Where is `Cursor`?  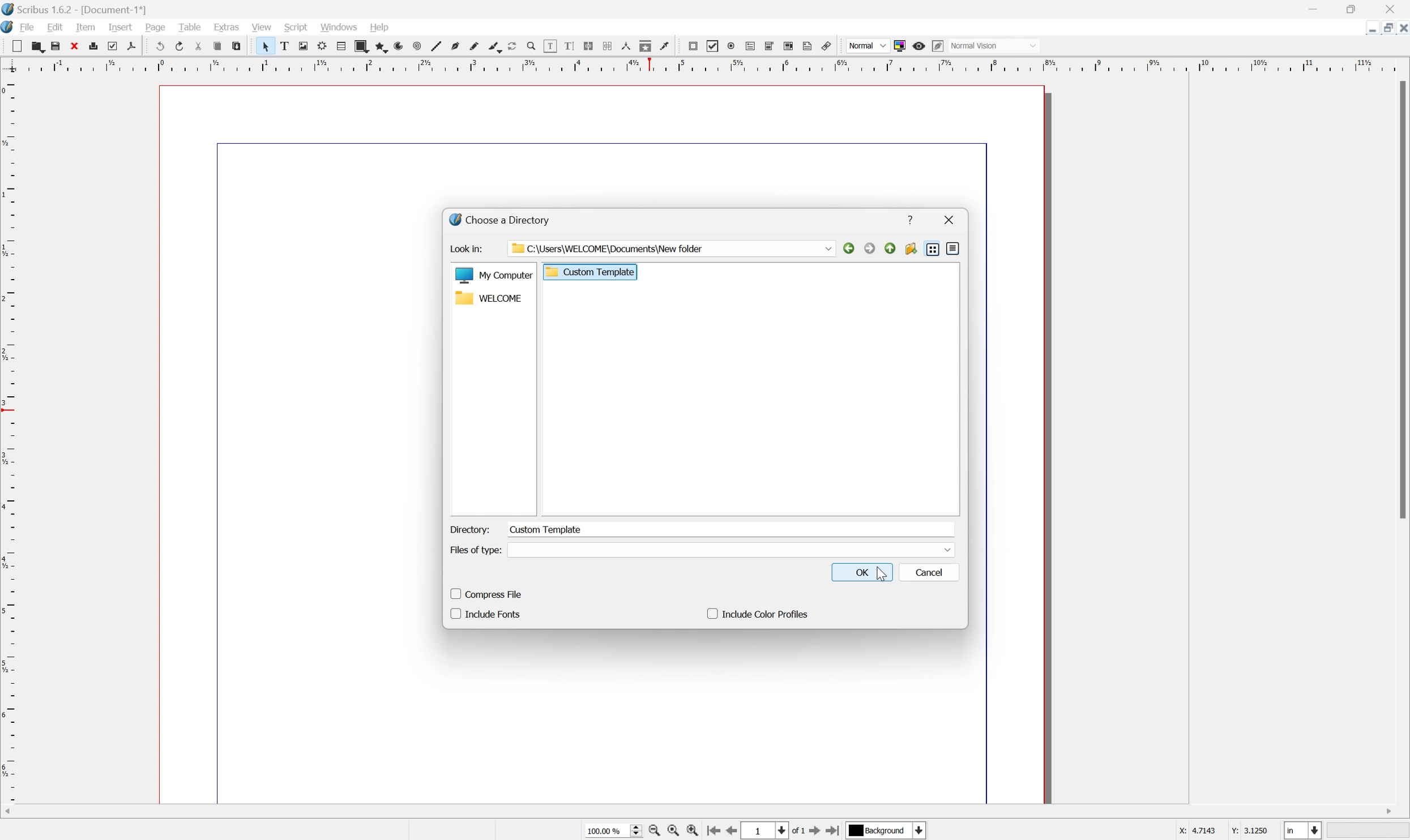 Cursor is located at coordinates (881, 572).